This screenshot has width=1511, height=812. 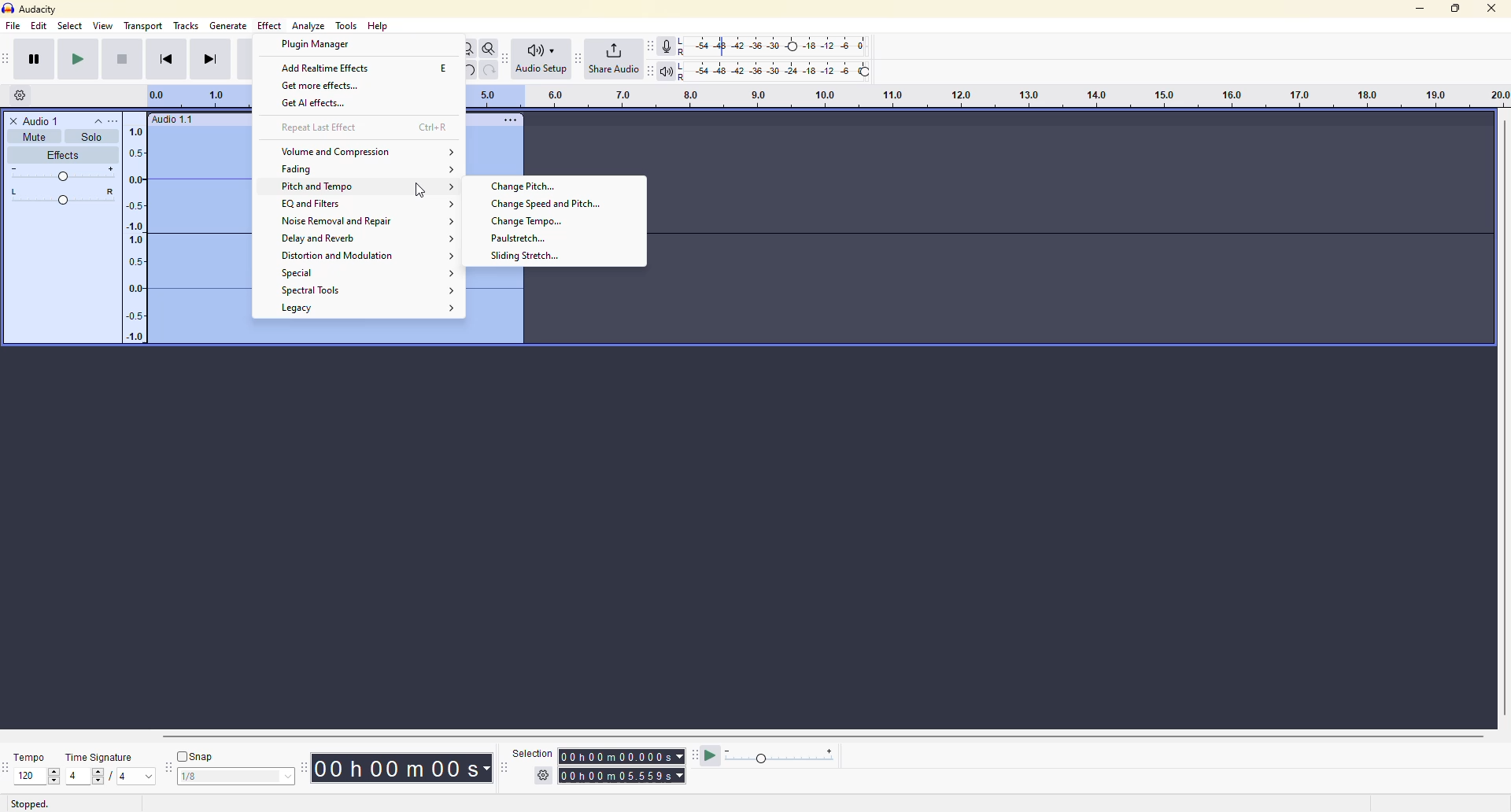 I want to click on expand, so click(x=453, y=188).